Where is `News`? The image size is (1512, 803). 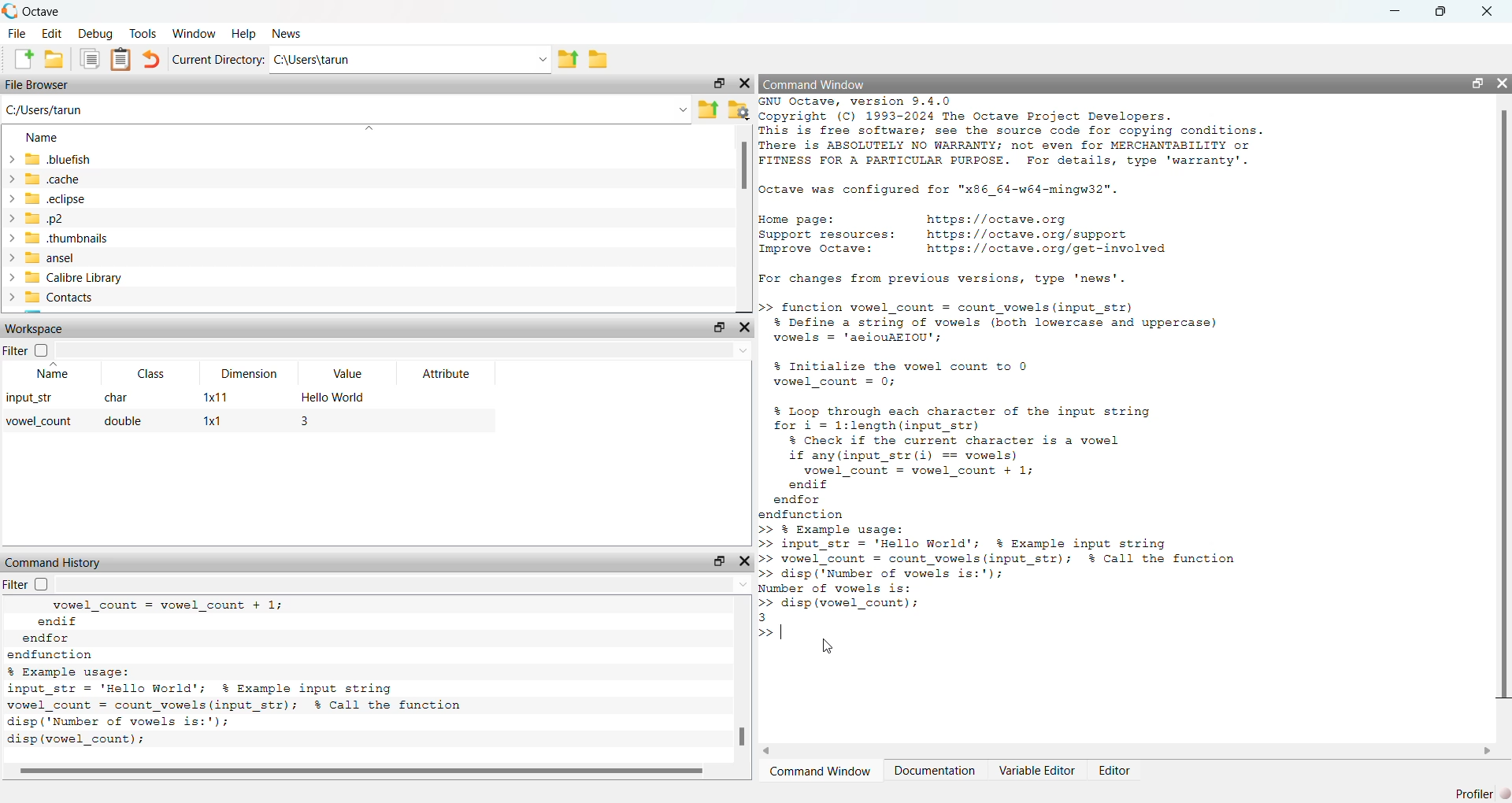
News is located at coordinates (286, 33).